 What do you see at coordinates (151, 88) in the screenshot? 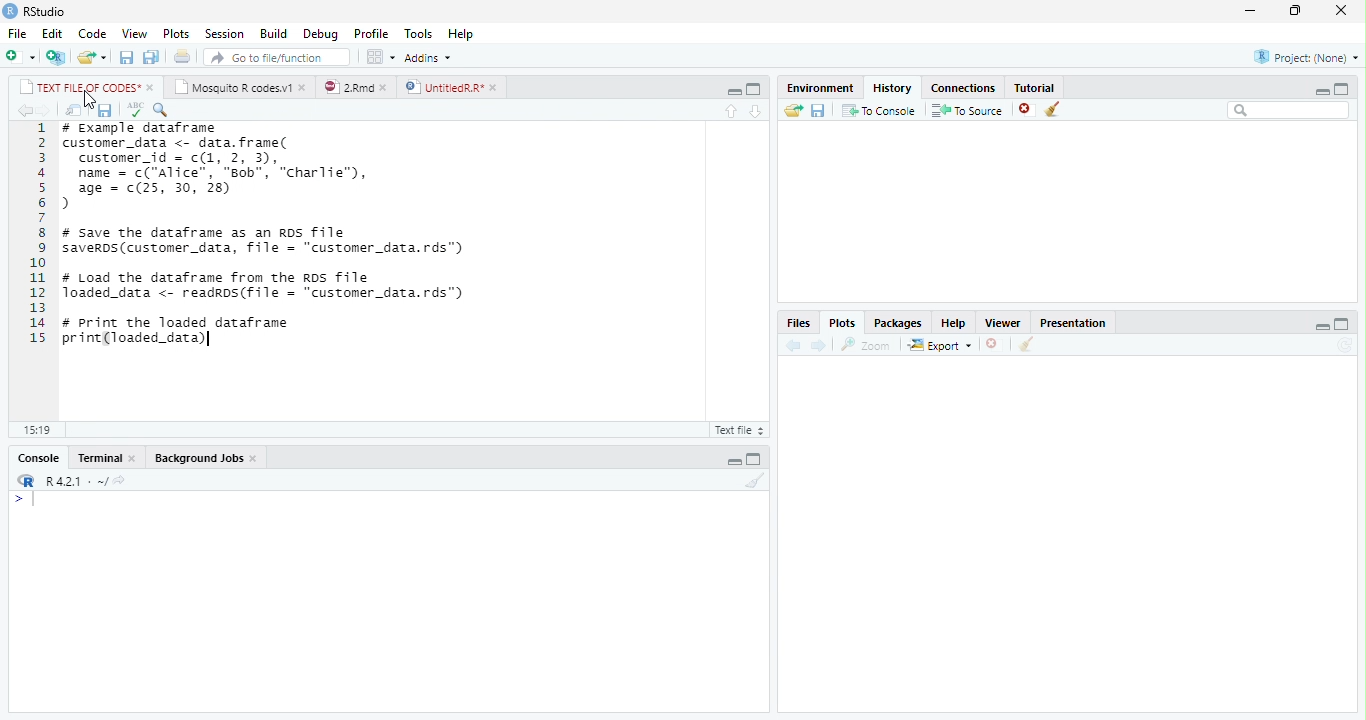
I see `close` at bounding box center [151, 88].